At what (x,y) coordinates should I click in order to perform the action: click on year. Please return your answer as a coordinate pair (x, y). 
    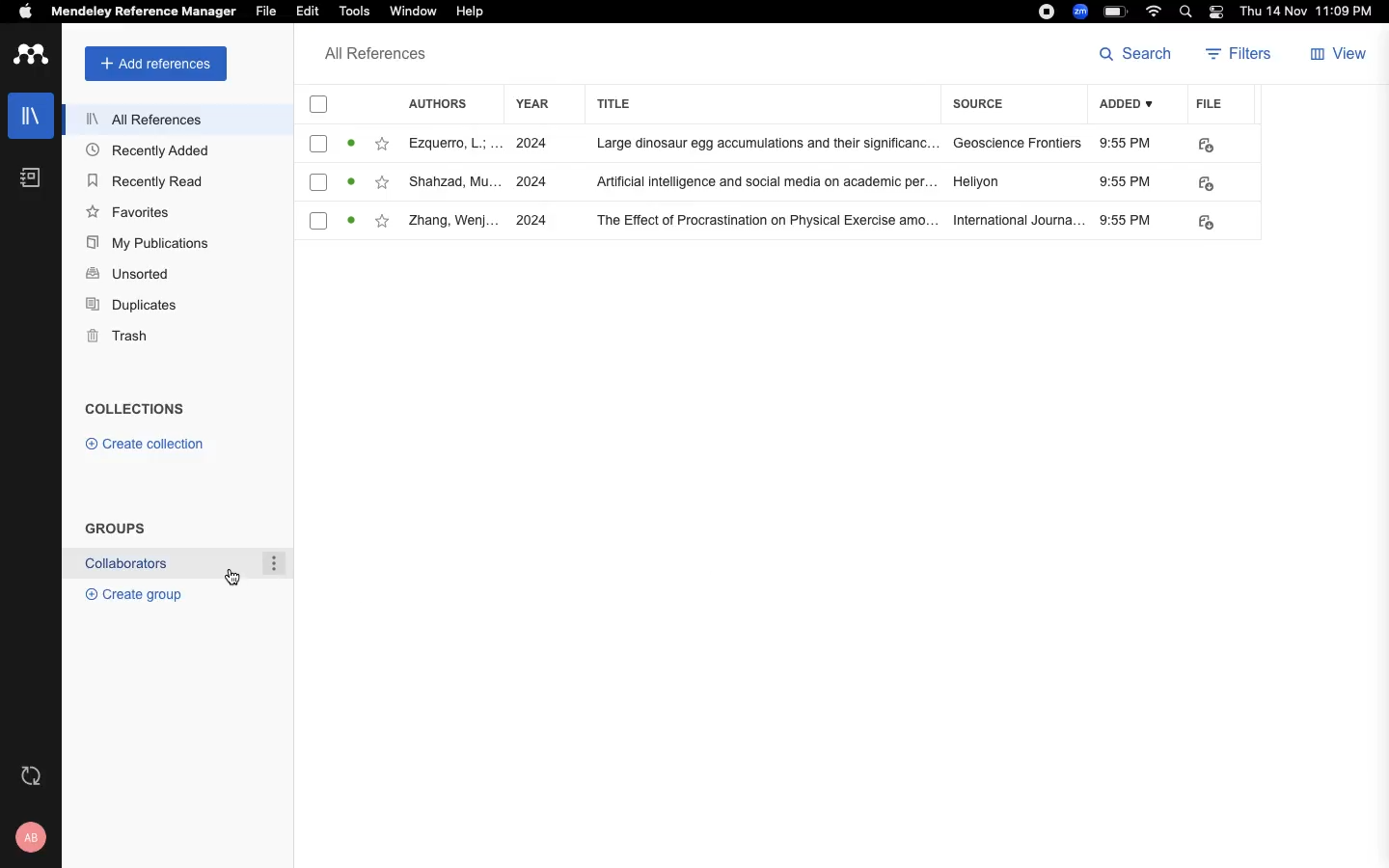
    Looking at the image, I should click on (533, 103).